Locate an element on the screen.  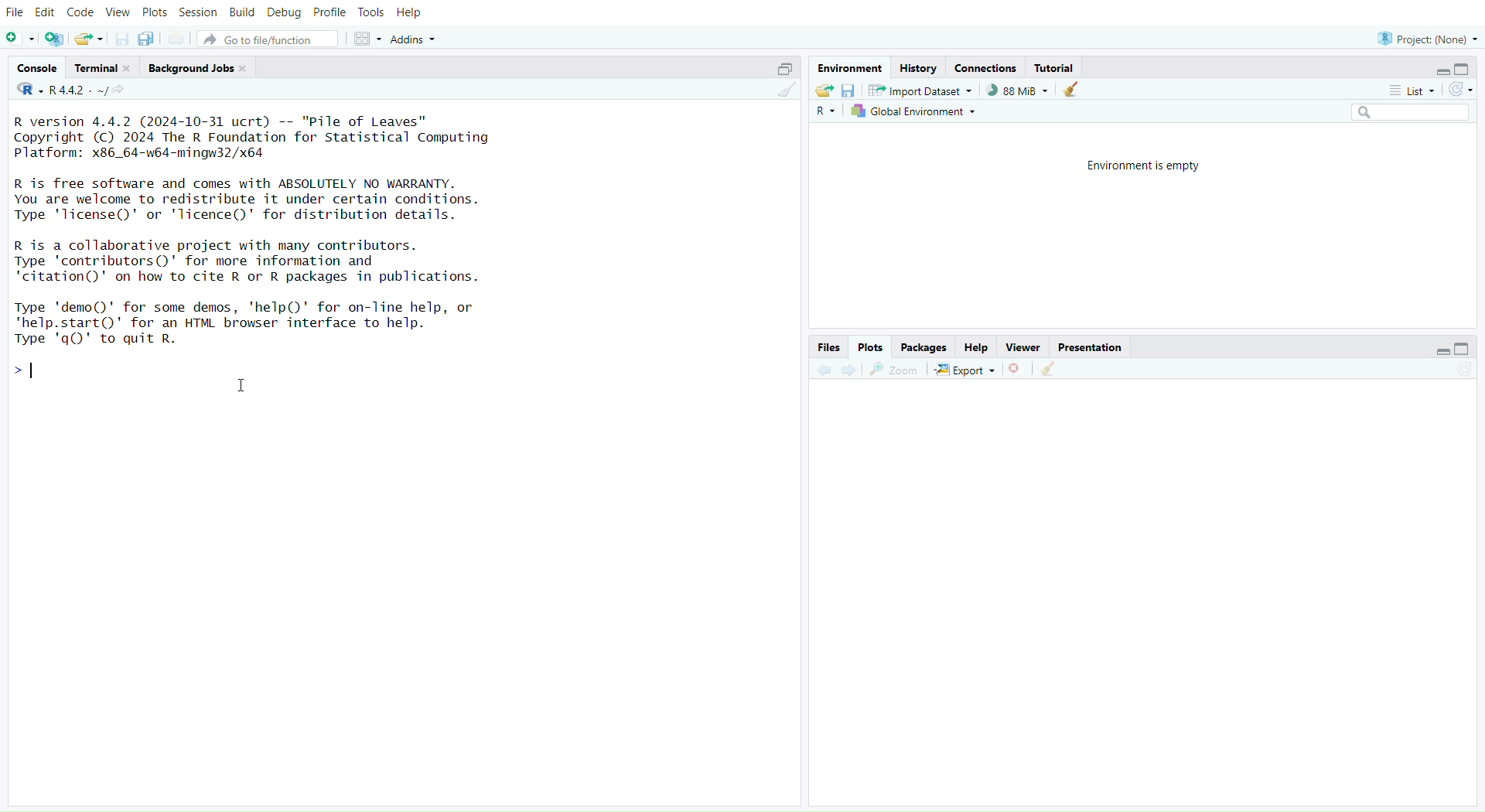
plots is located at coordinates (870, 346).